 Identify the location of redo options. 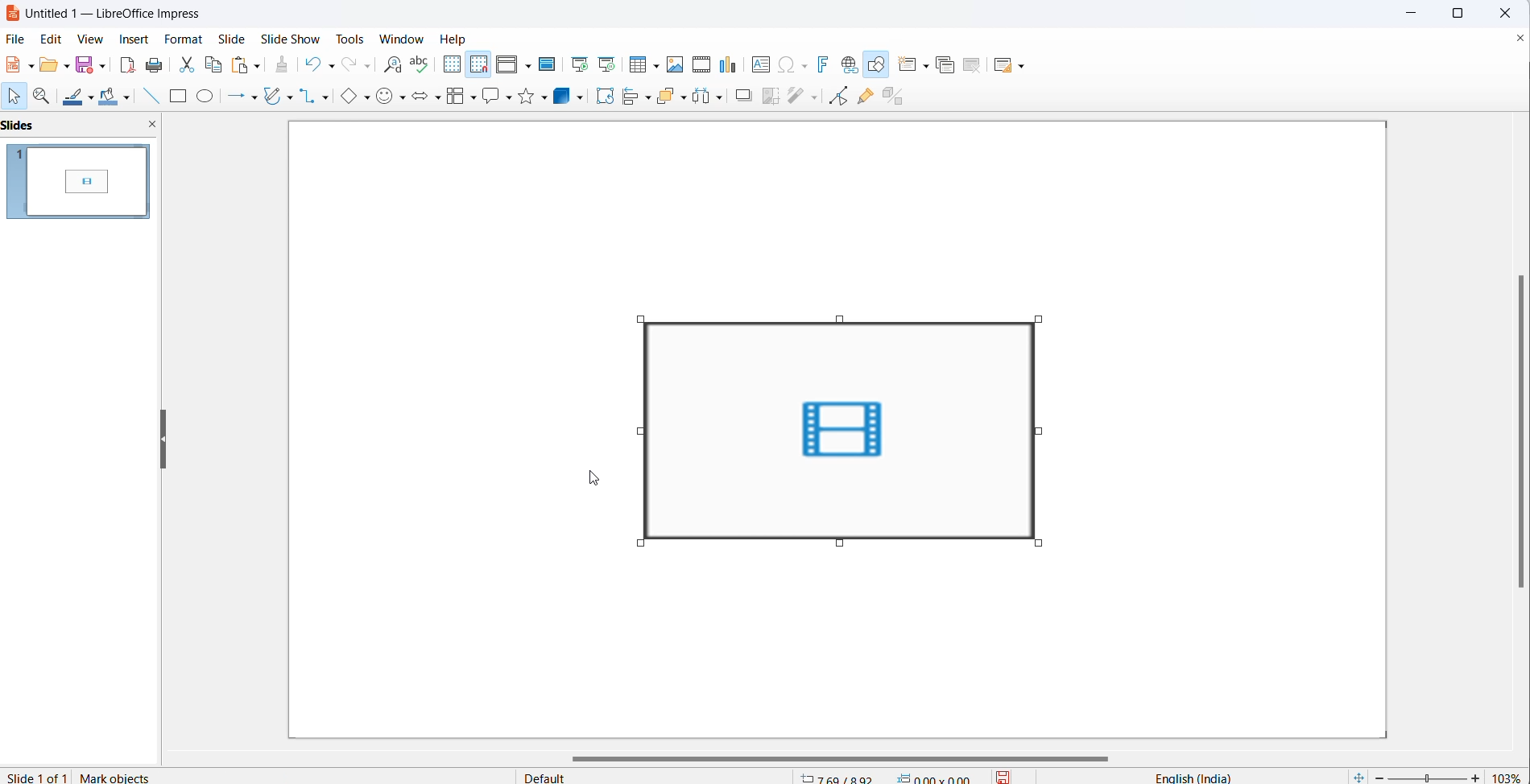
(366, 67).